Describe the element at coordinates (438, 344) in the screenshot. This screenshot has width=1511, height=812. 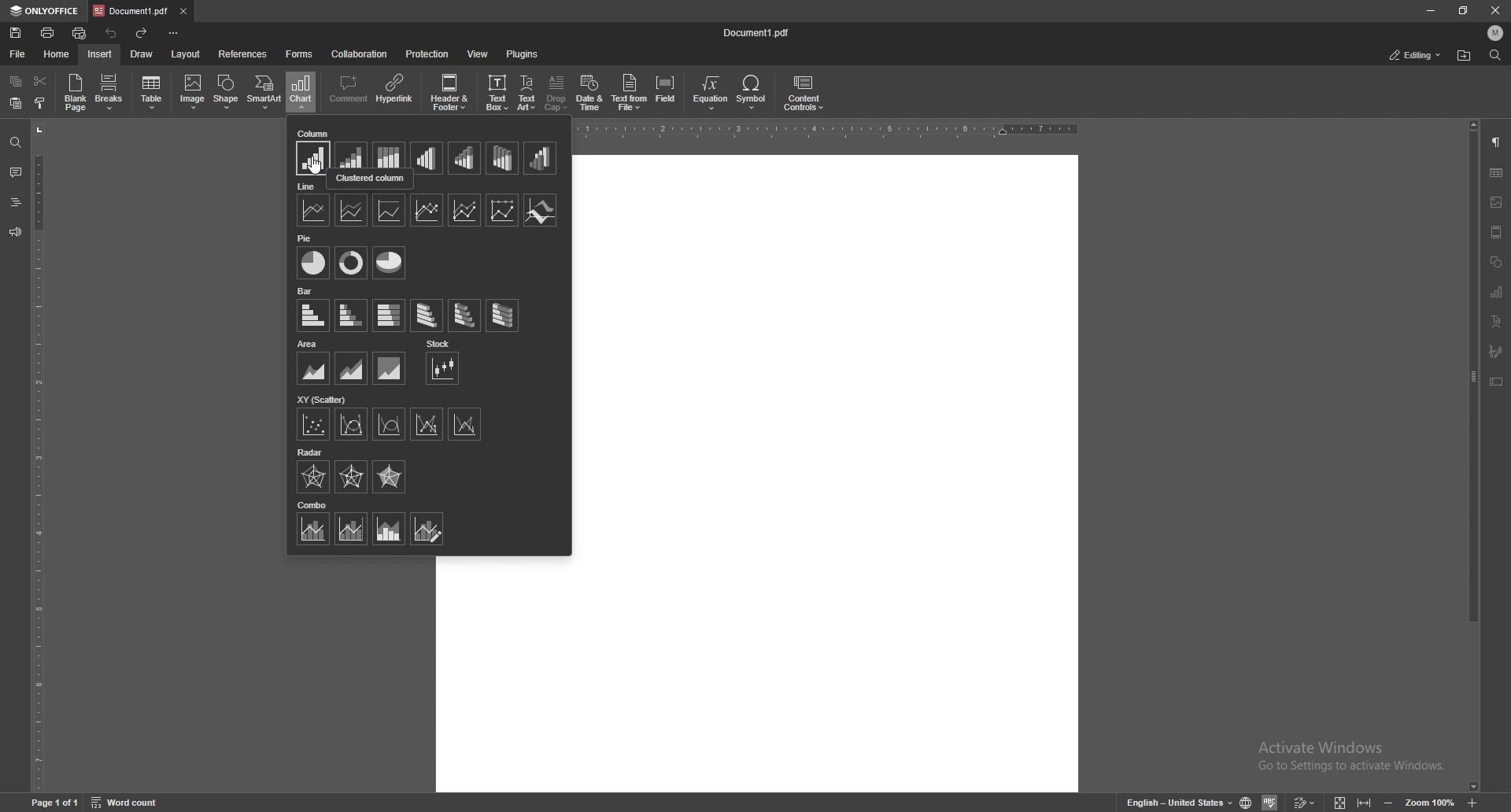
I see `stock` at that location.